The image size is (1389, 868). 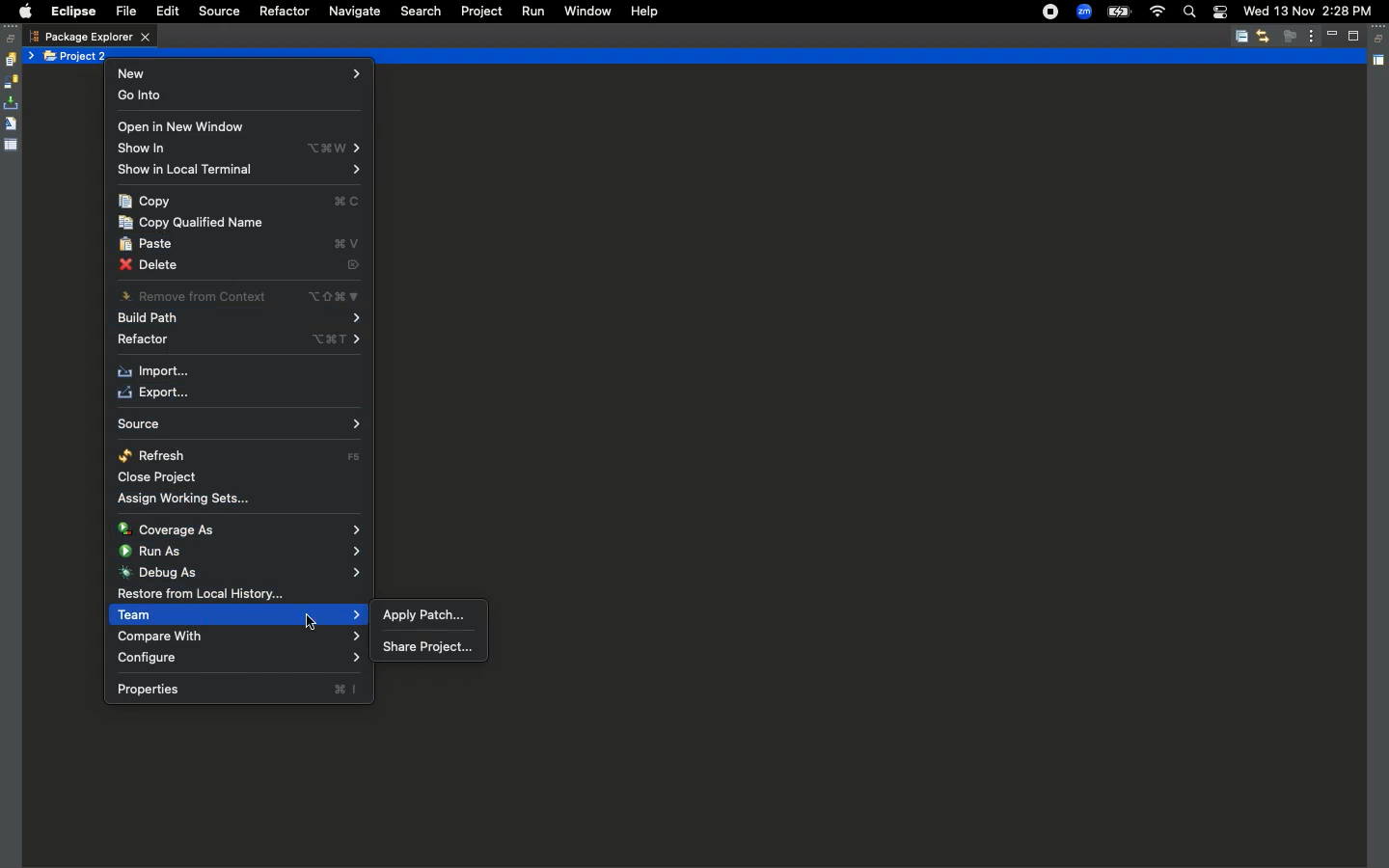 I want to click on Copy, so click(x=240, y=203).